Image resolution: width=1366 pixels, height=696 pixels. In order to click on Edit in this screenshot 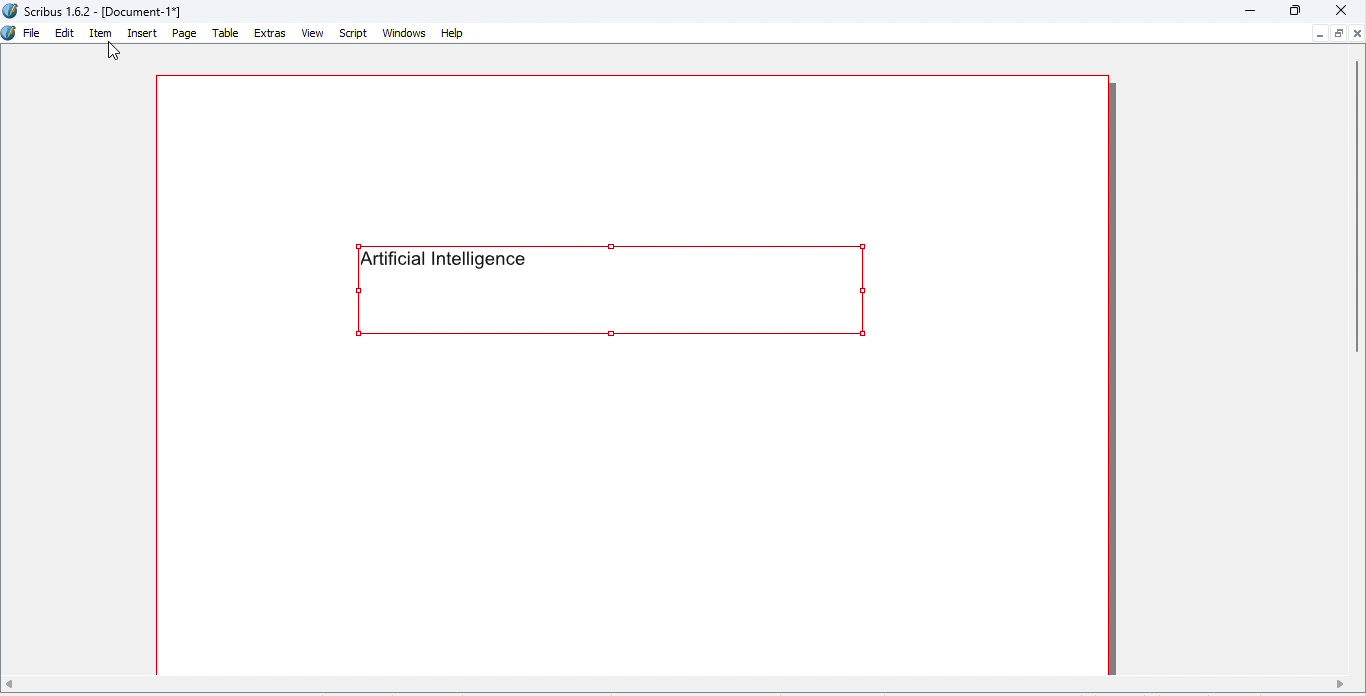, I will do `click(62, 34)`.